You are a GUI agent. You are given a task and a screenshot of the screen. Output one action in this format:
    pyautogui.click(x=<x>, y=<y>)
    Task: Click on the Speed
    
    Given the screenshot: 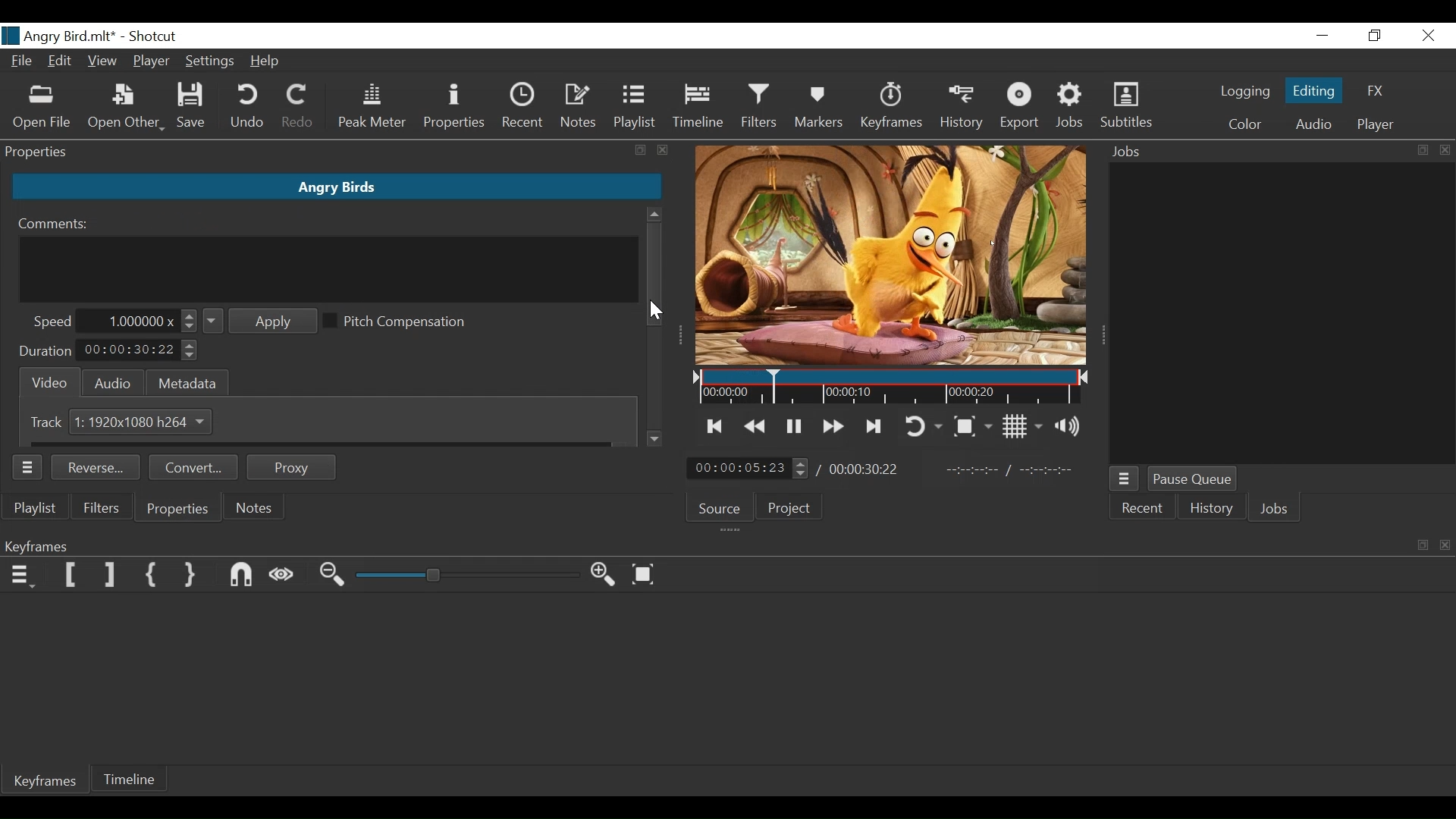 What is the action you would take?
    pyautogui.click(x=52, y=321)
    